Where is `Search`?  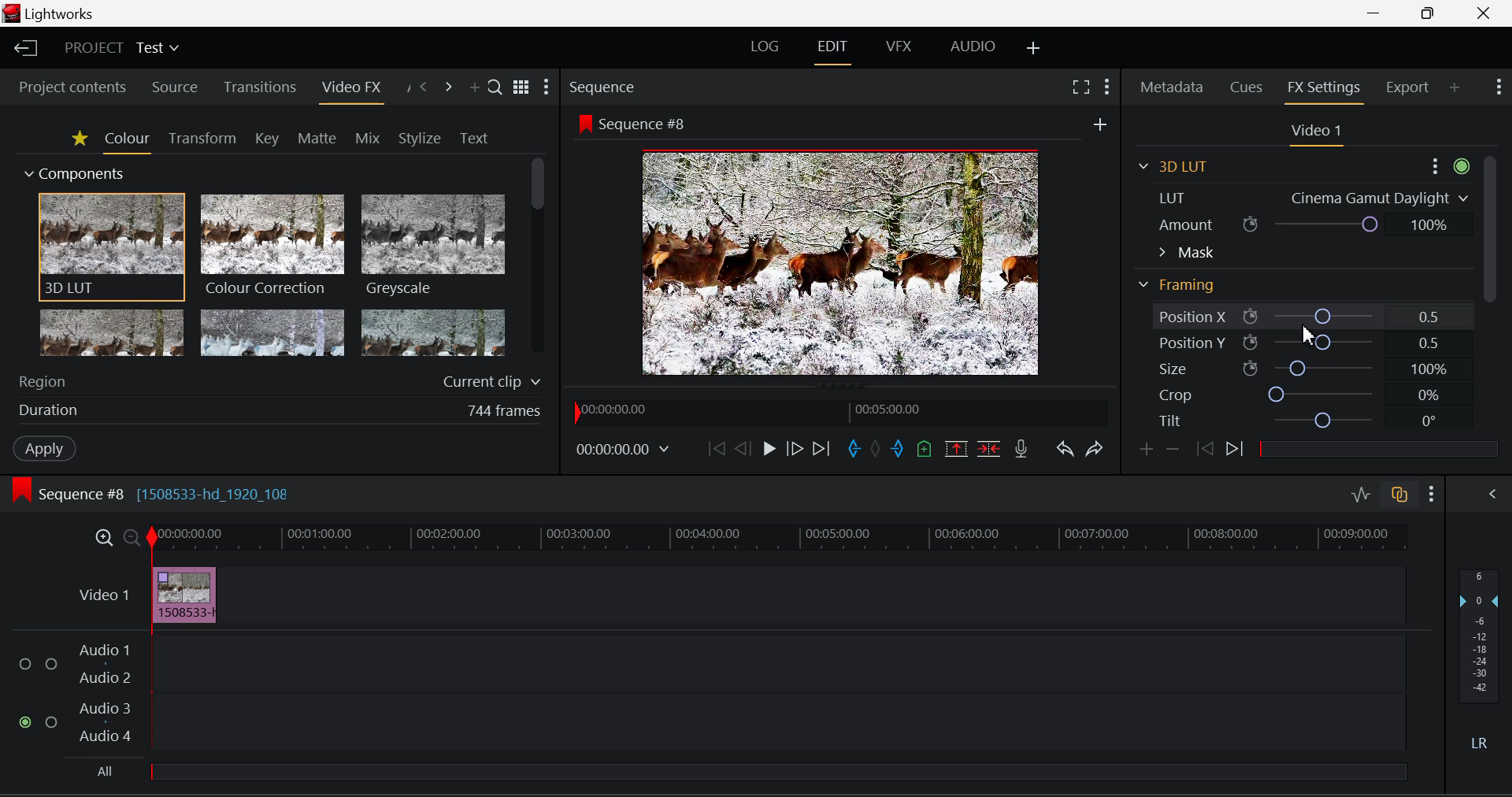 Search is located at coordinates (493, 83).